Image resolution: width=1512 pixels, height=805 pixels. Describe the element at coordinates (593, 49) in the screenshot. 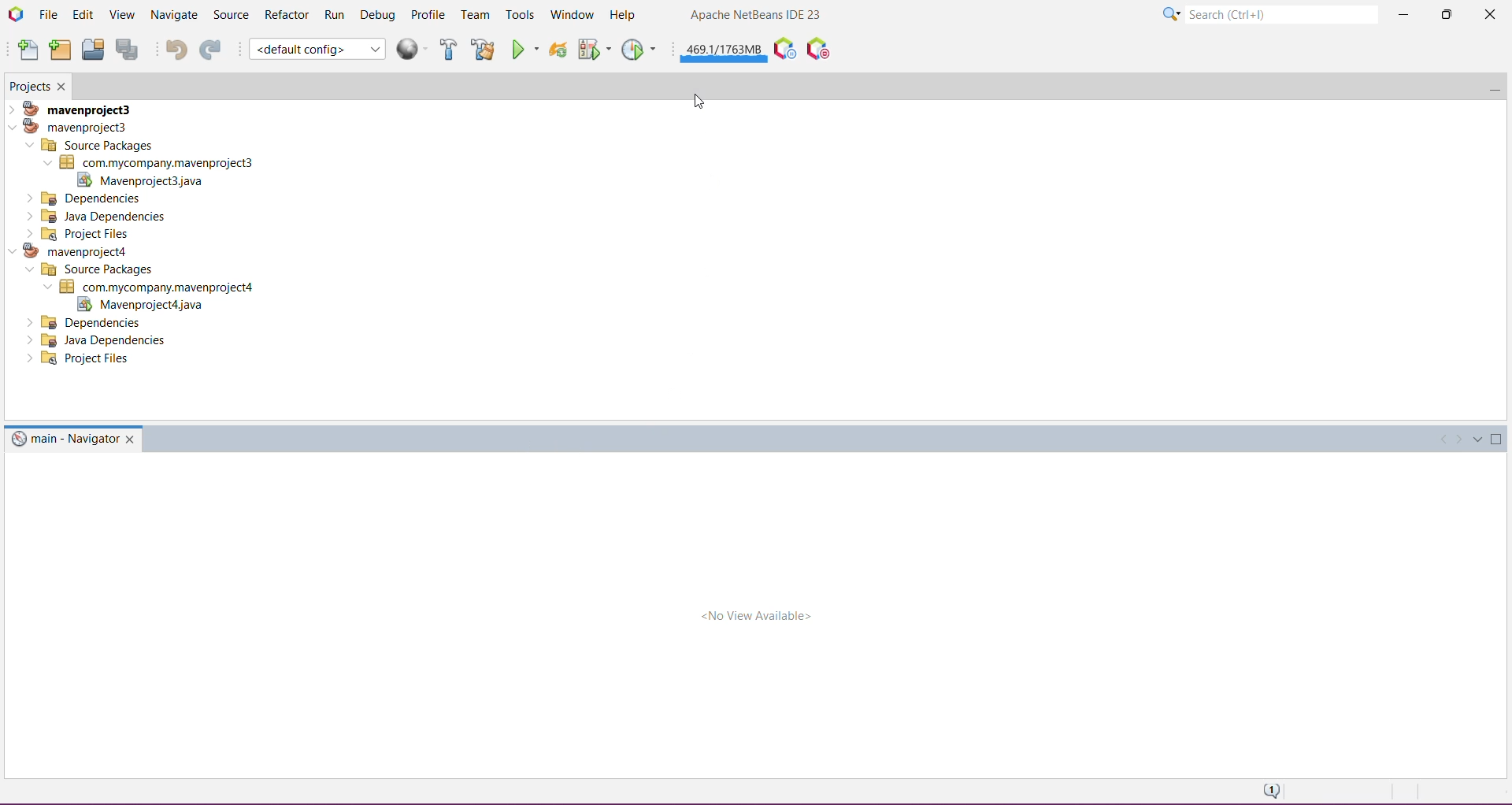

I see `Debug Main Project` at that location.